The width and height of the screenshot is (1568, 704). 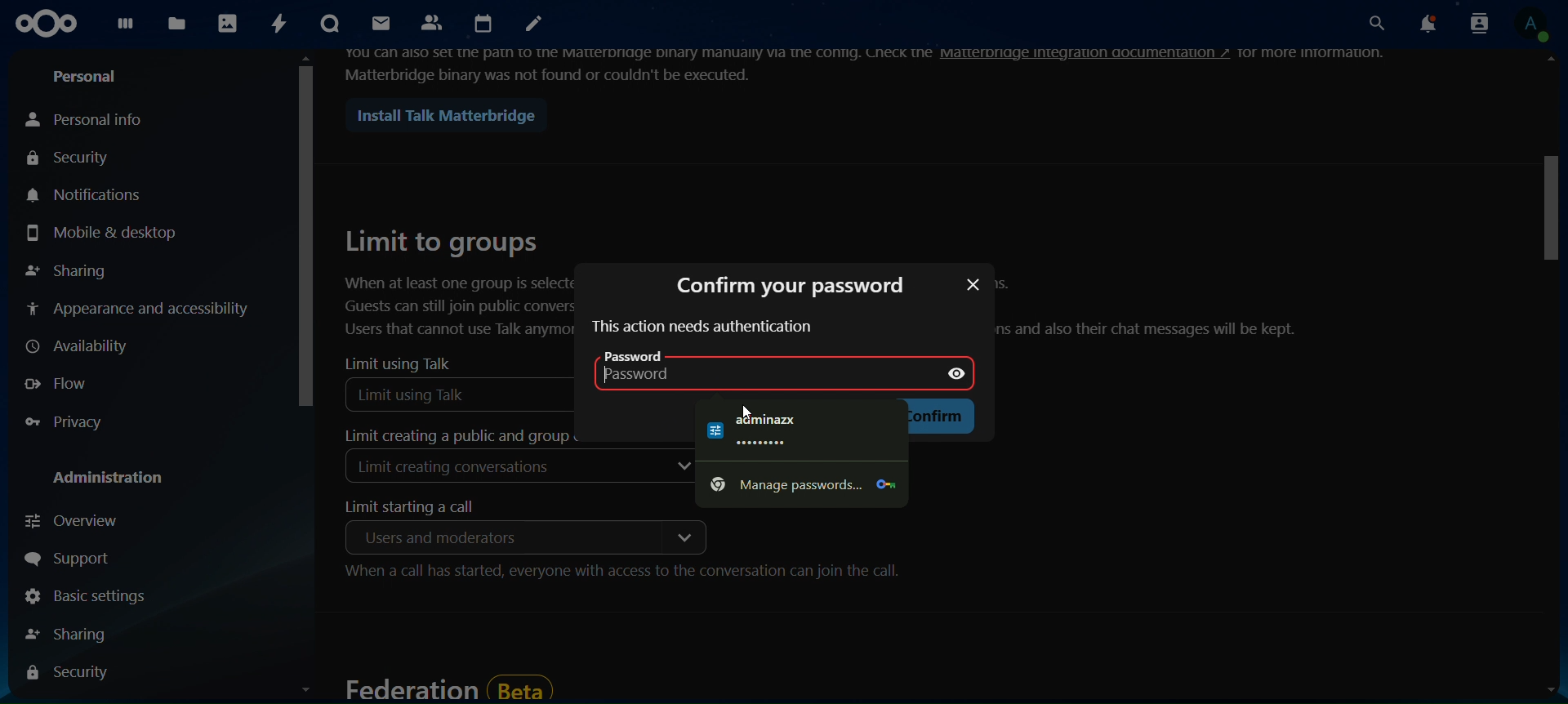 I want to click on federation, so click(x=448, y=687).